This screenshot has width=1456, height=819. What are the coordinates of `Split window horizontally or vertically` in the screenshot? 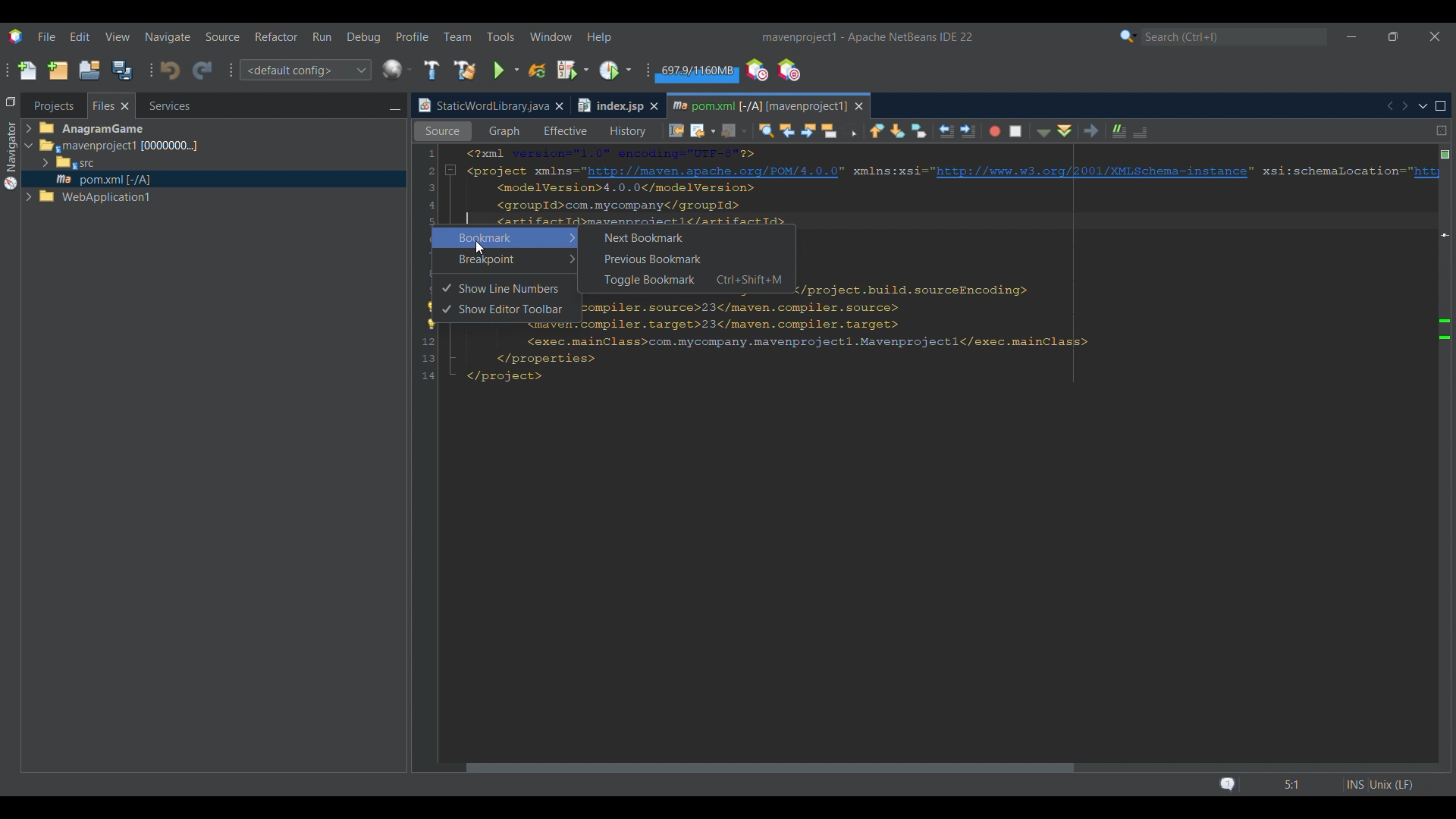 It's located at (1442, 130).